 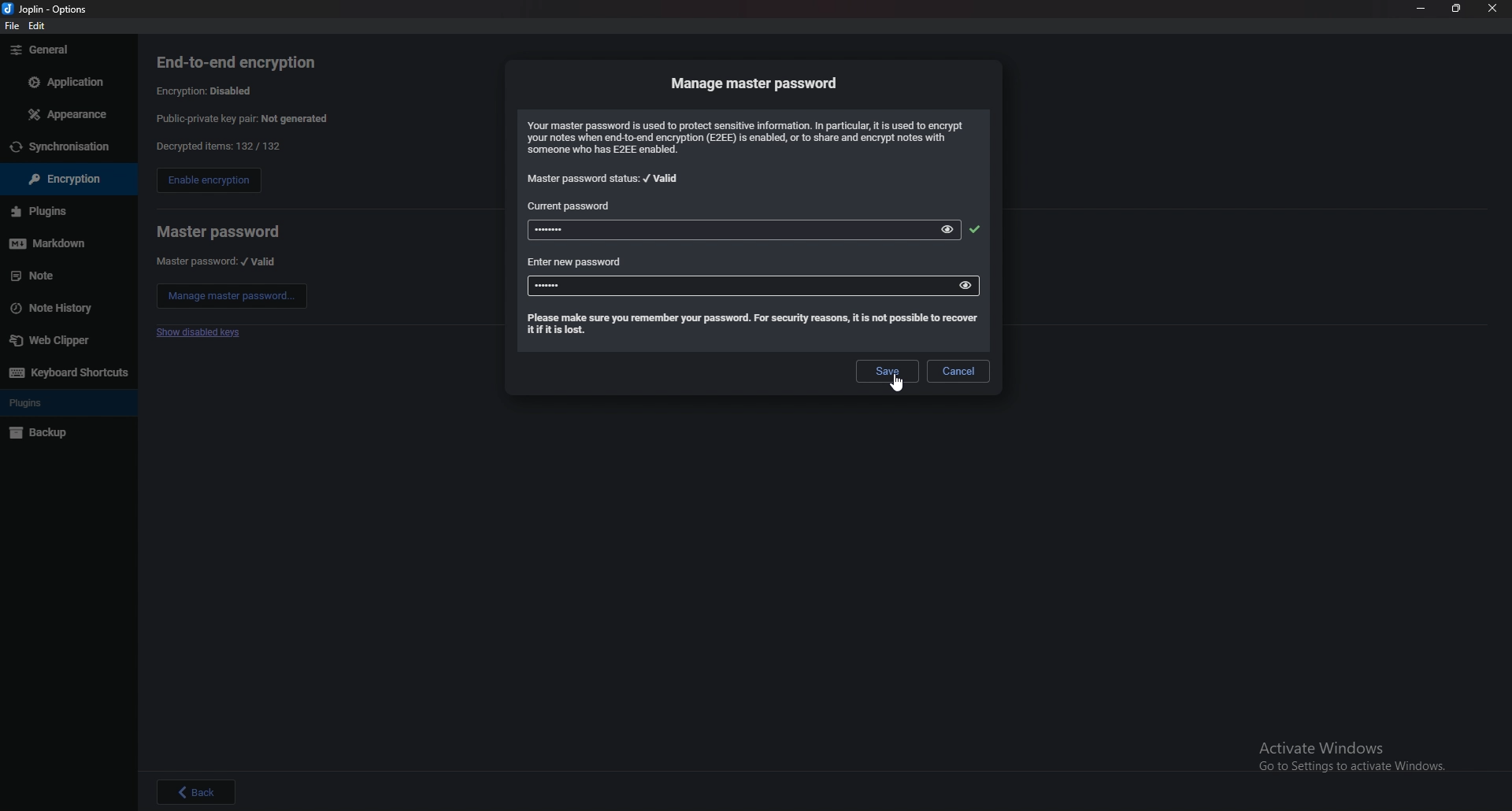 What do you see at coordinates (197, 791) in the screenshot?
I see `back` at bounding box center [197, 791].